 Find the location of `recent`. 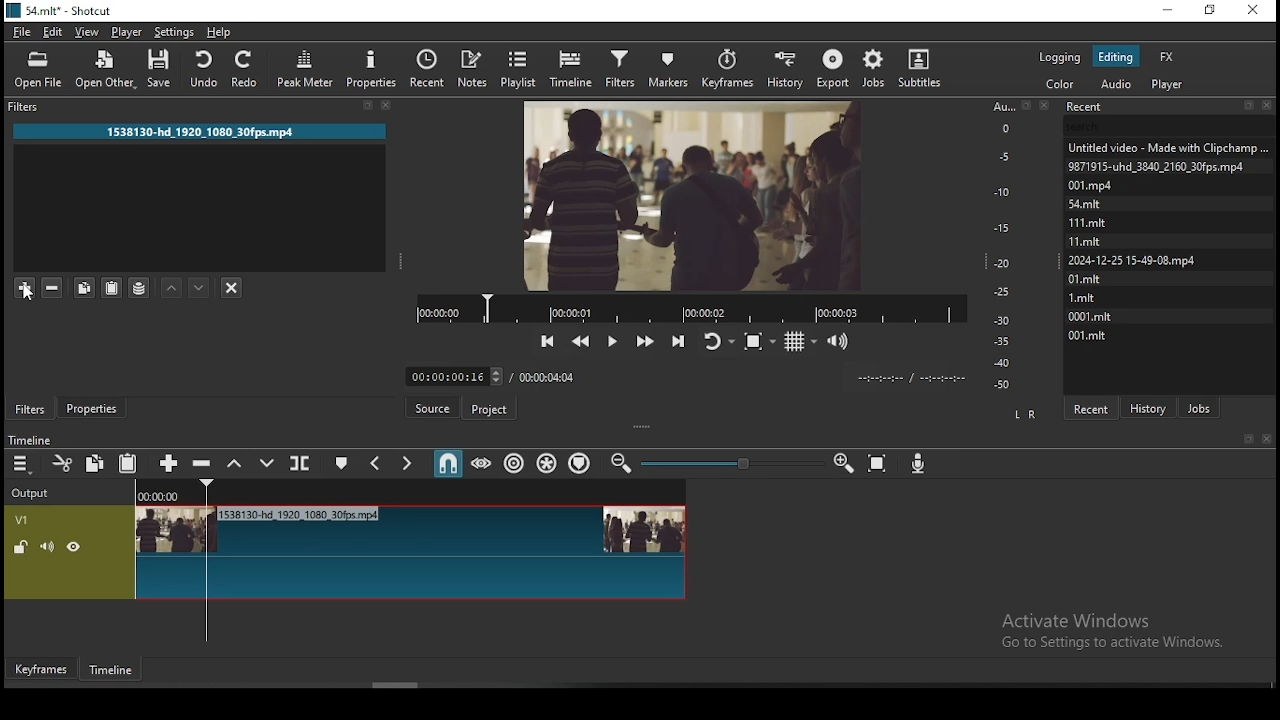

recent is located at coordinates (1090, 408).